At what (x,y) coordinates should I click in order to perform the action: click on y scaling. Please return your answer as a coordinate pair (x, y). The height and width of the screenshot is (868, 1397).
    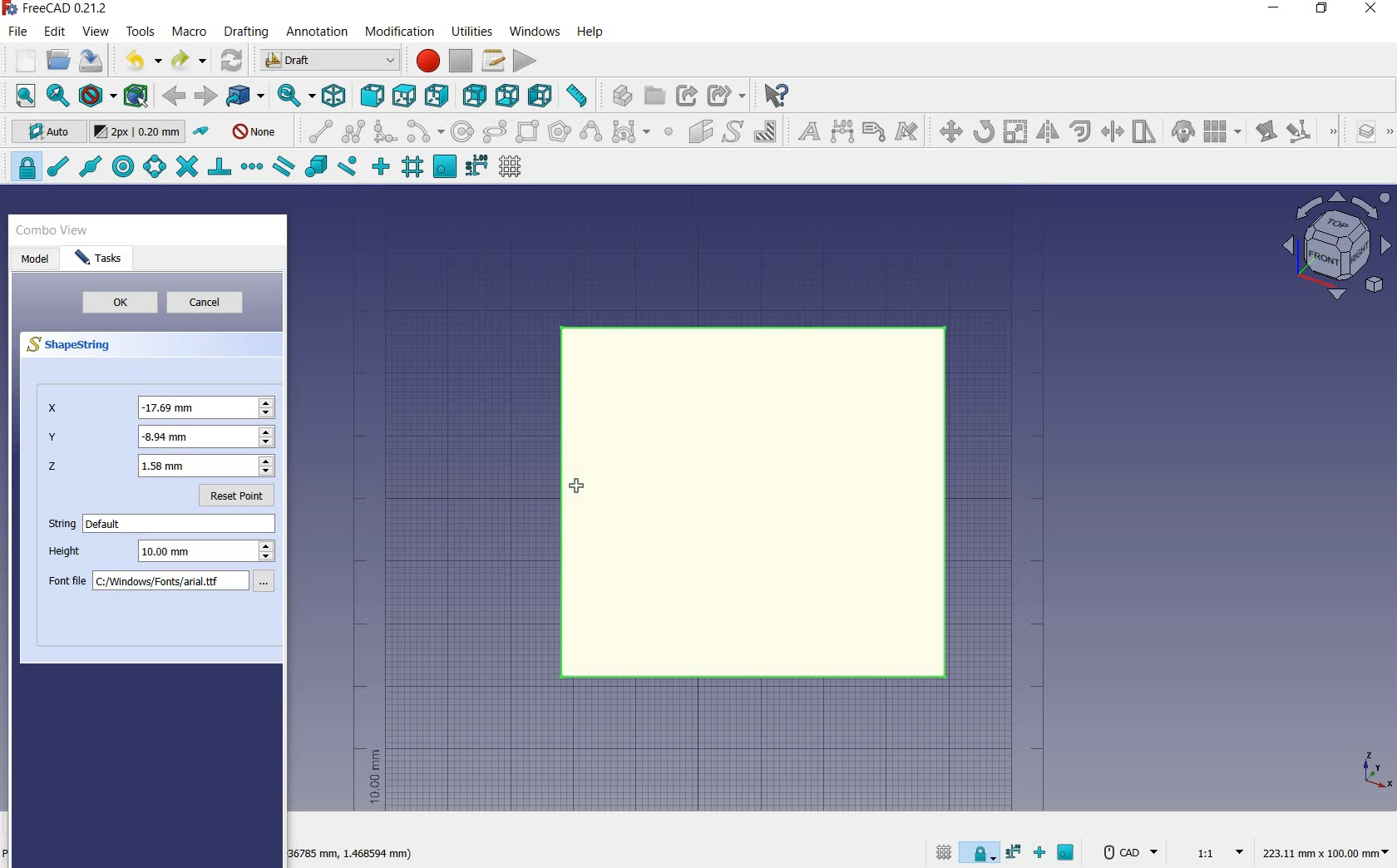
    Looking at the image, I should click on (160, 438).